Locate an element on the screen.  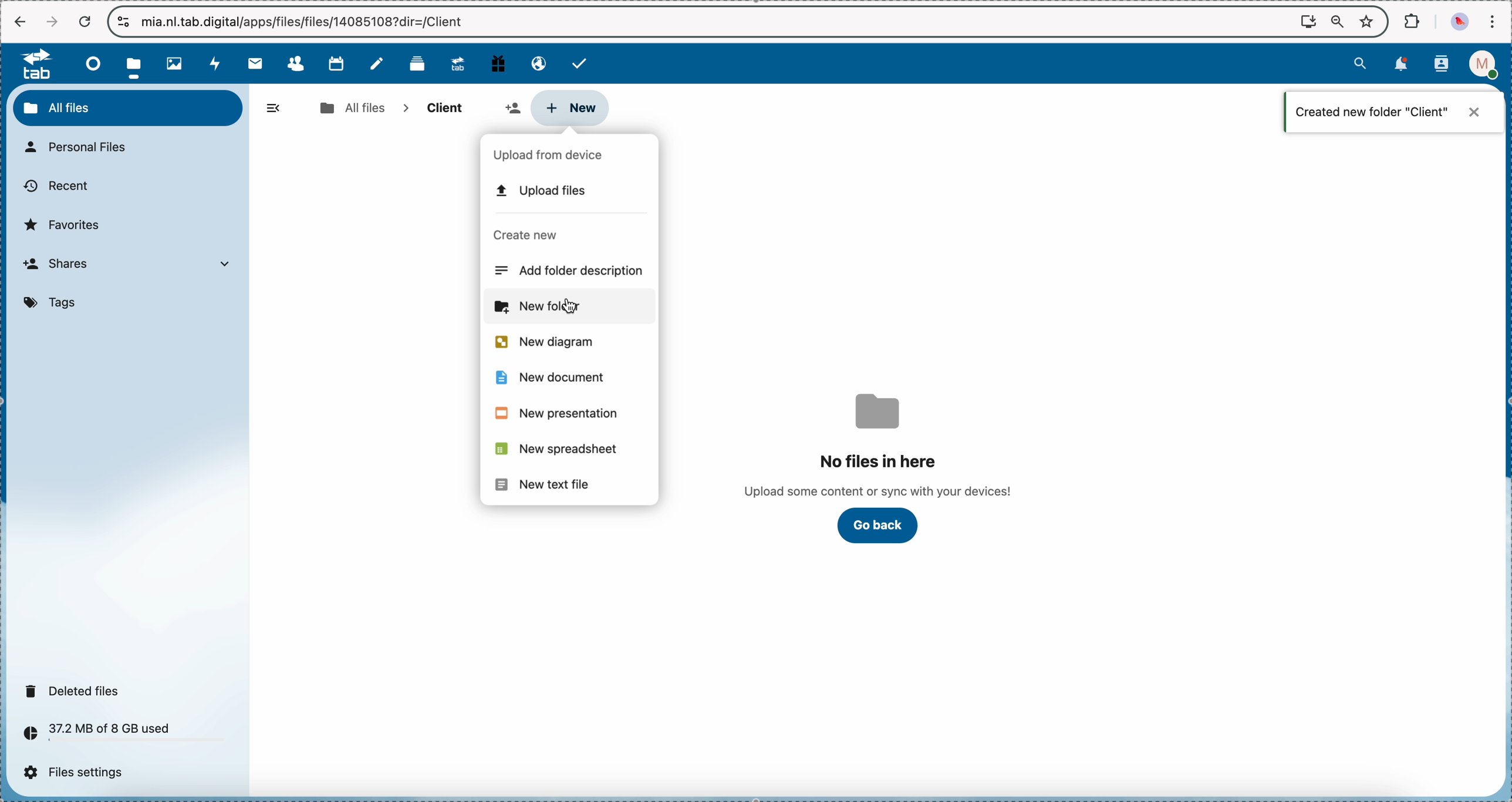
deck is located at coordinates (420, 62).